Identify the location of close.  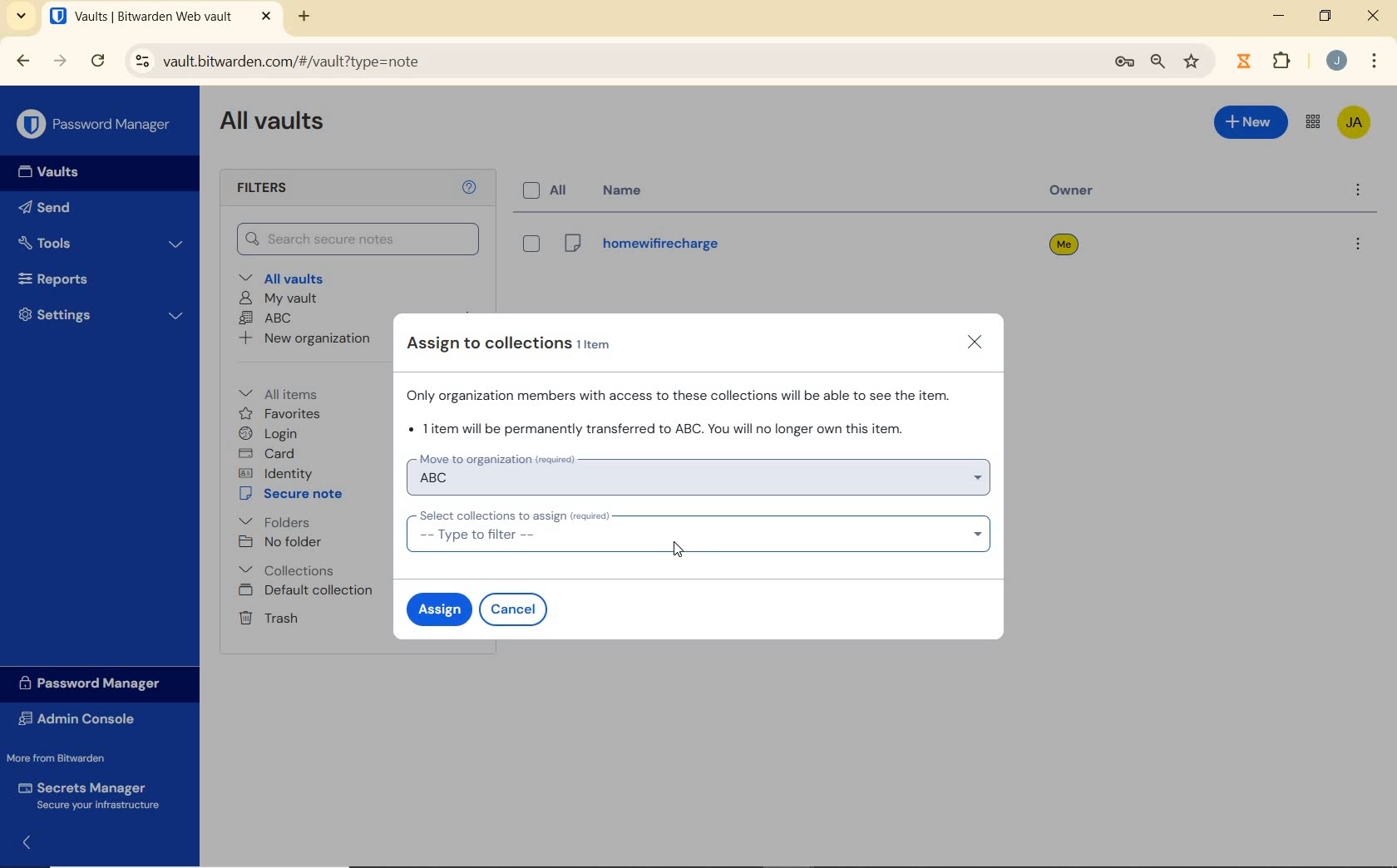
(977, 343).